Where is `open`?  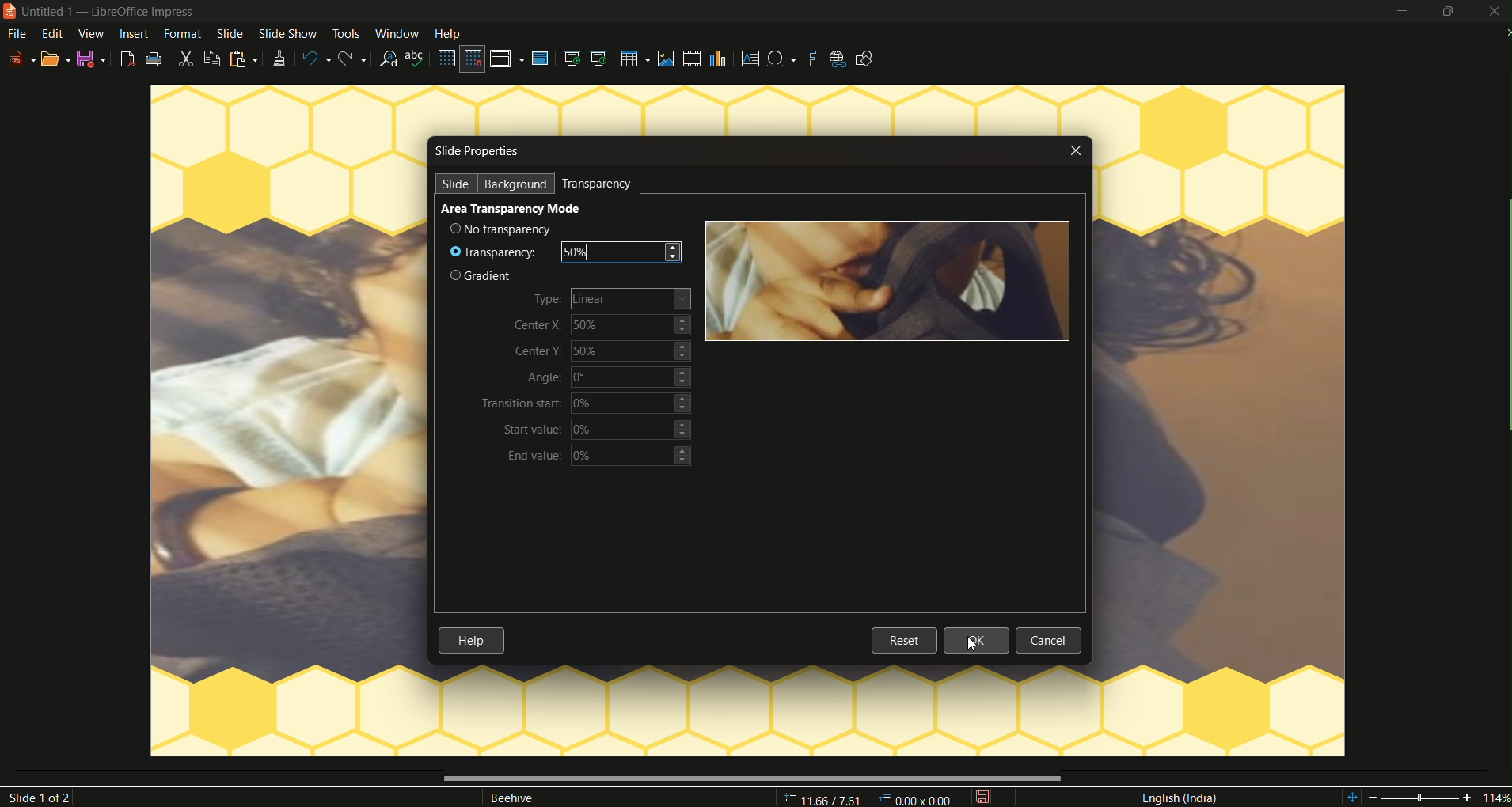 open is located at coordinates (56, 59).